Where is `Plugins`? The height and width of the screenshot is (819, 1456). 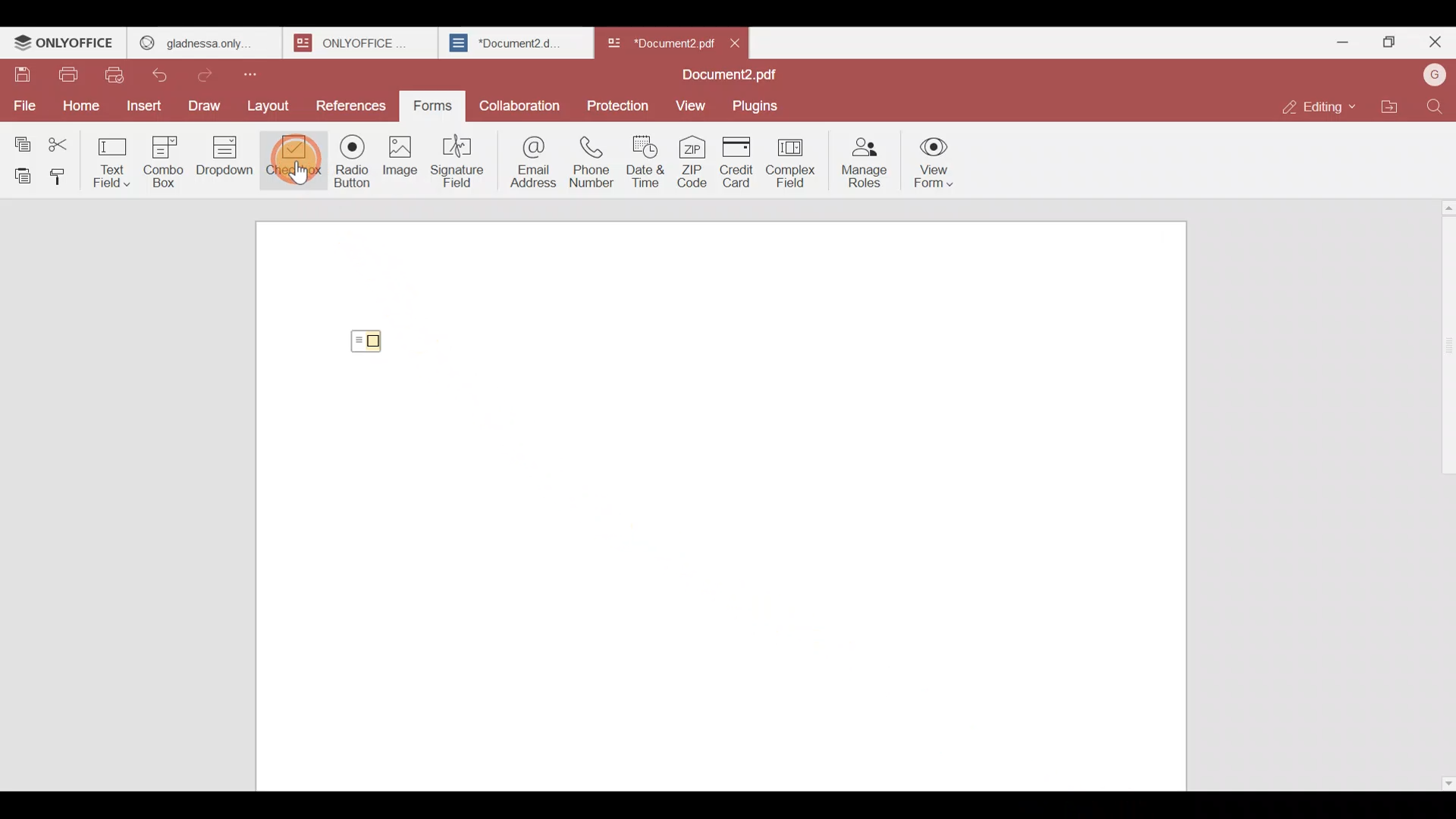
Plugins is located at coordinates (761, 106).